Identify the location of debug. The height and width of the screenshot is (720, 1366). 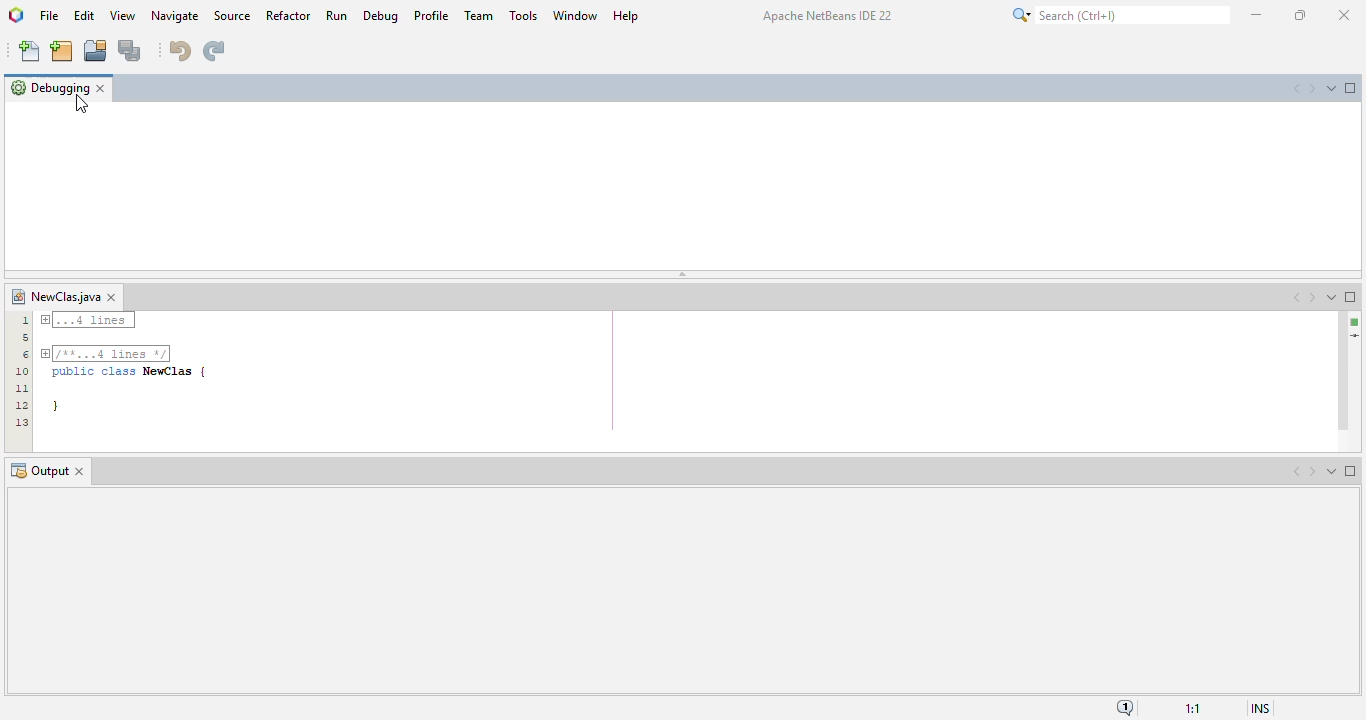
(381, 15).